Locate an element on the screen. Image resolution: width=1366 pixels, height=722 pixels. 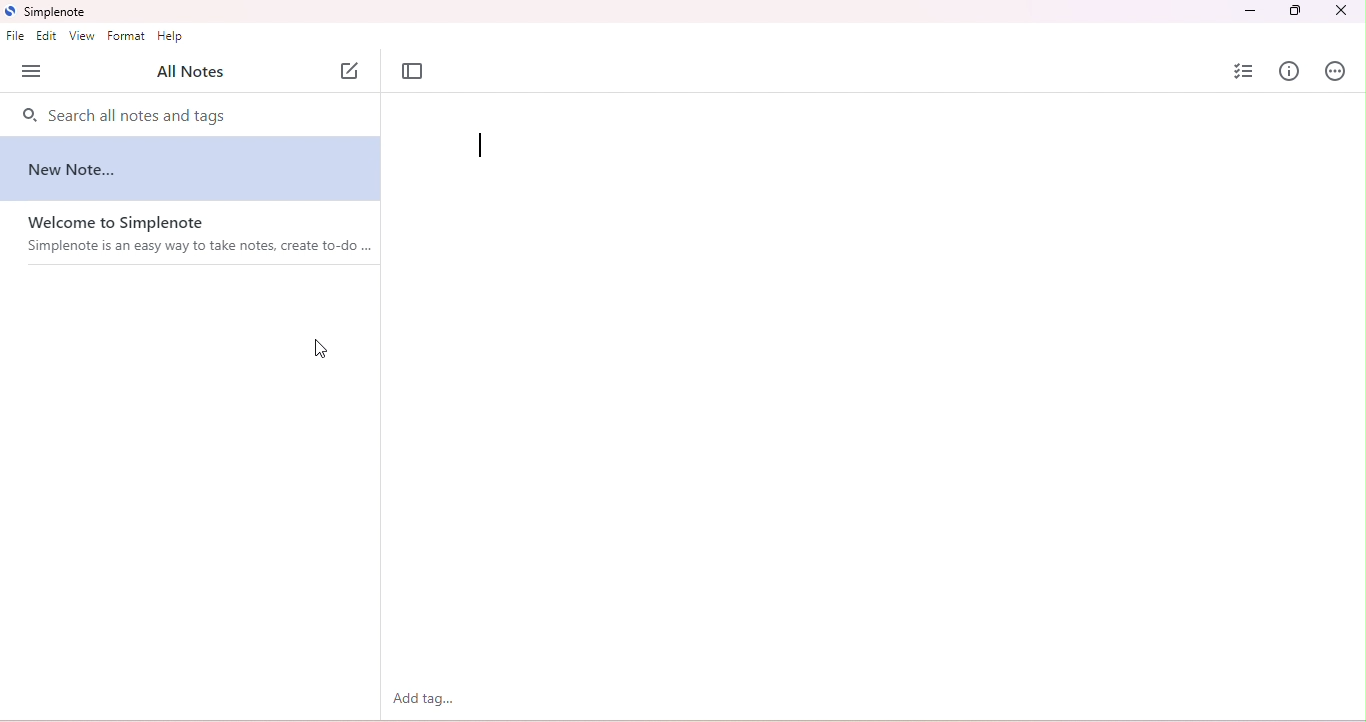
file is located at coordinates (15, 38).